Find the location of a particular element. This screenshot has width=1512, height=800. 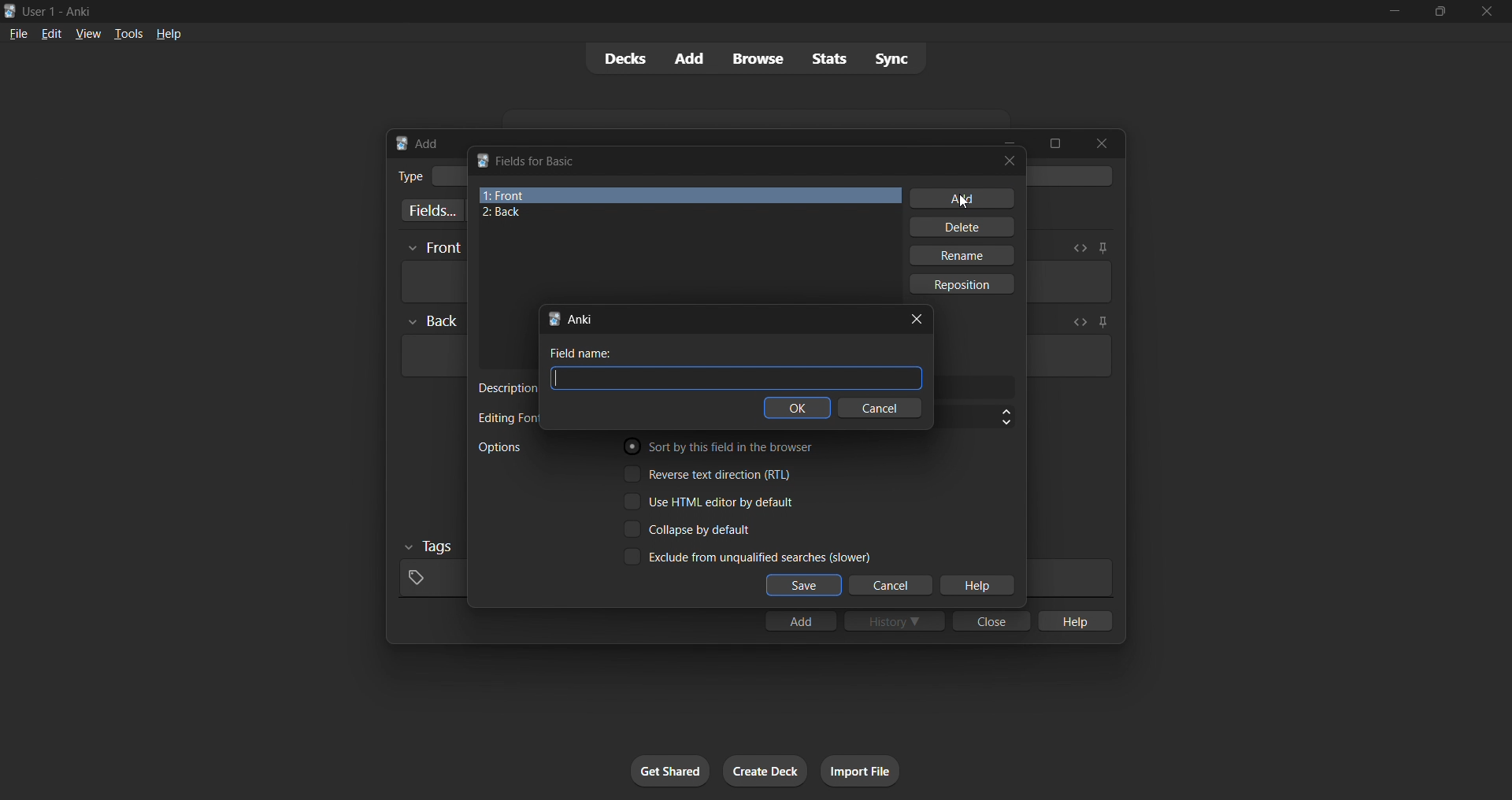

Toggle is located at coordinates (724, 446).